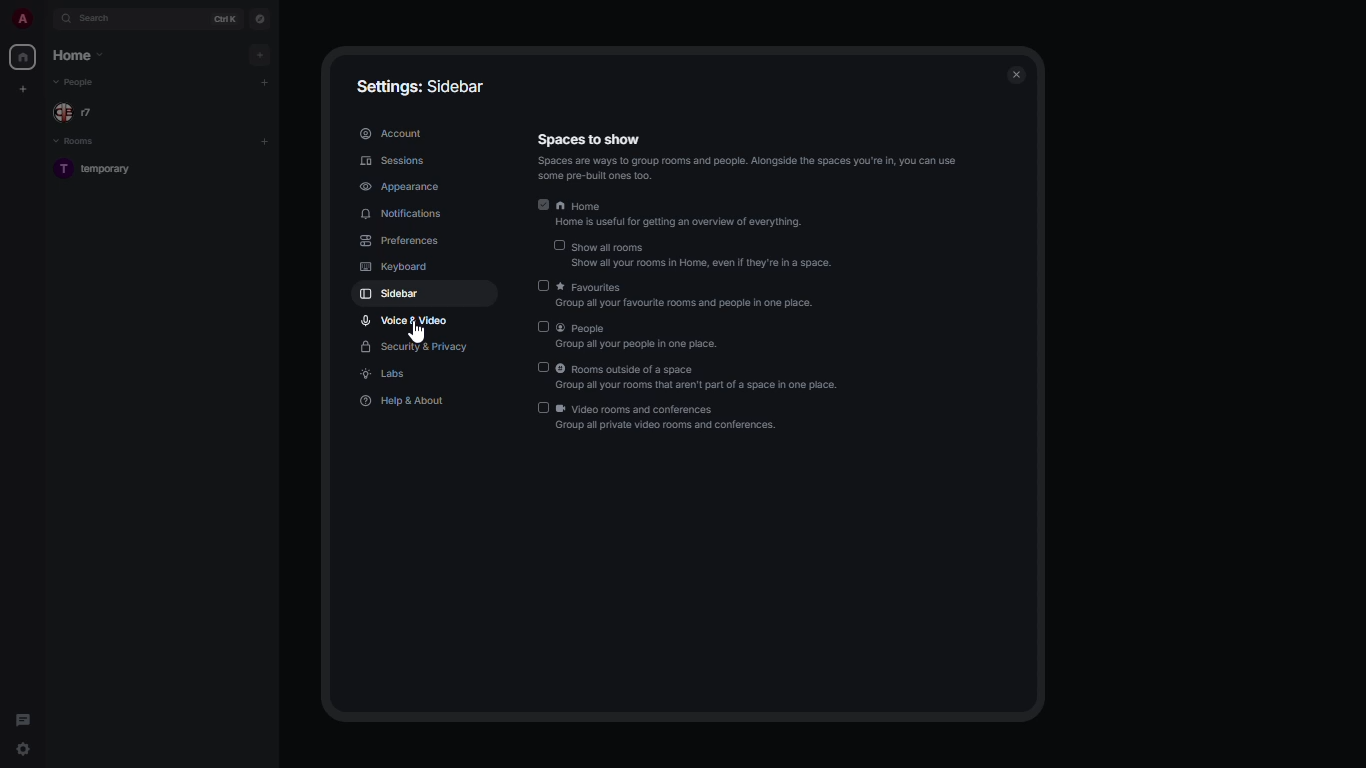 The width and height of the screenshot is (1366, 768). What do you see at coordinates (45, 20) in the screenshot?
I see `expand` at bounding box center [45, 20].